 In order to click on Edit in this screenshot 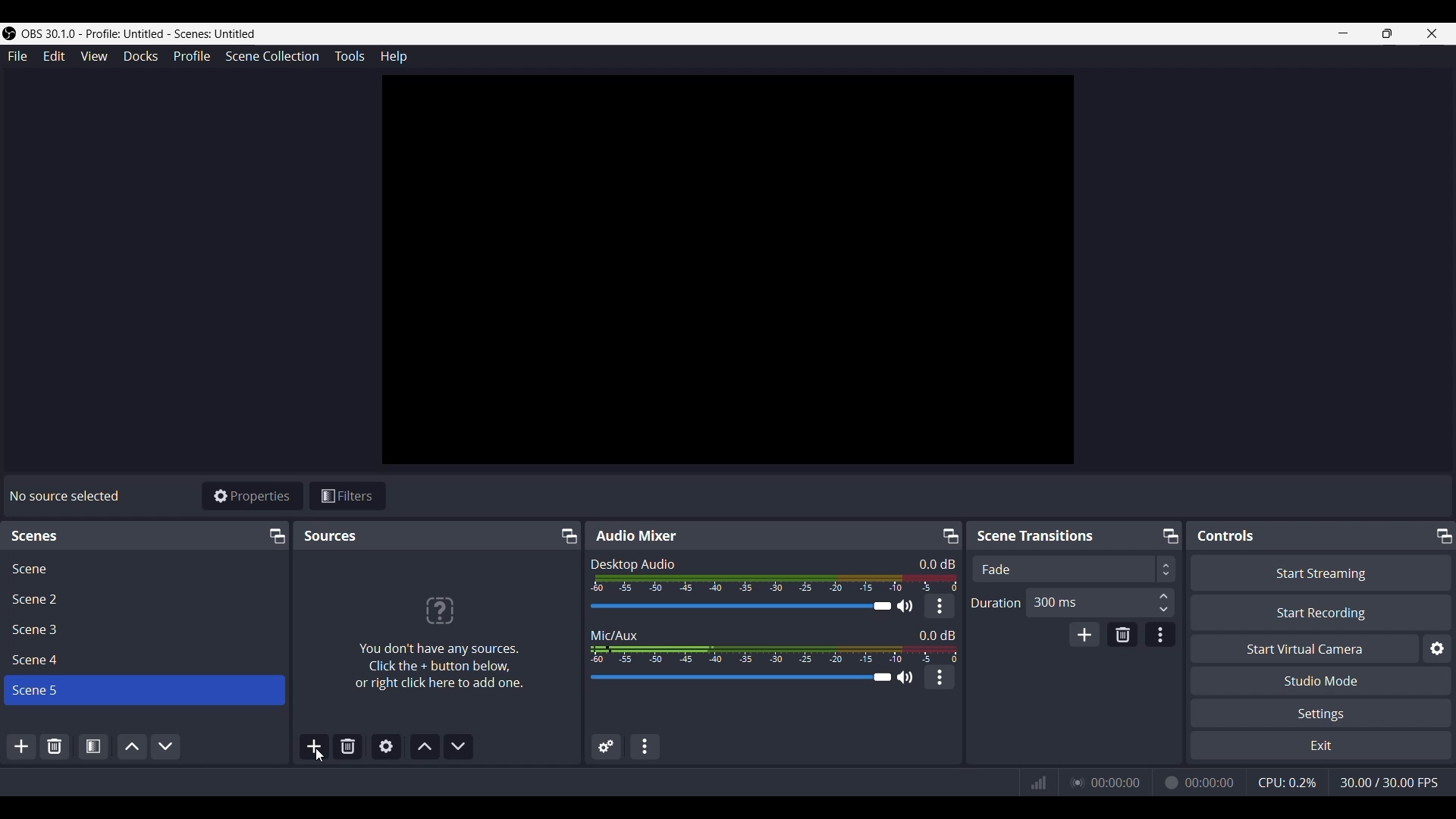, I will do `click(53, 55)`.